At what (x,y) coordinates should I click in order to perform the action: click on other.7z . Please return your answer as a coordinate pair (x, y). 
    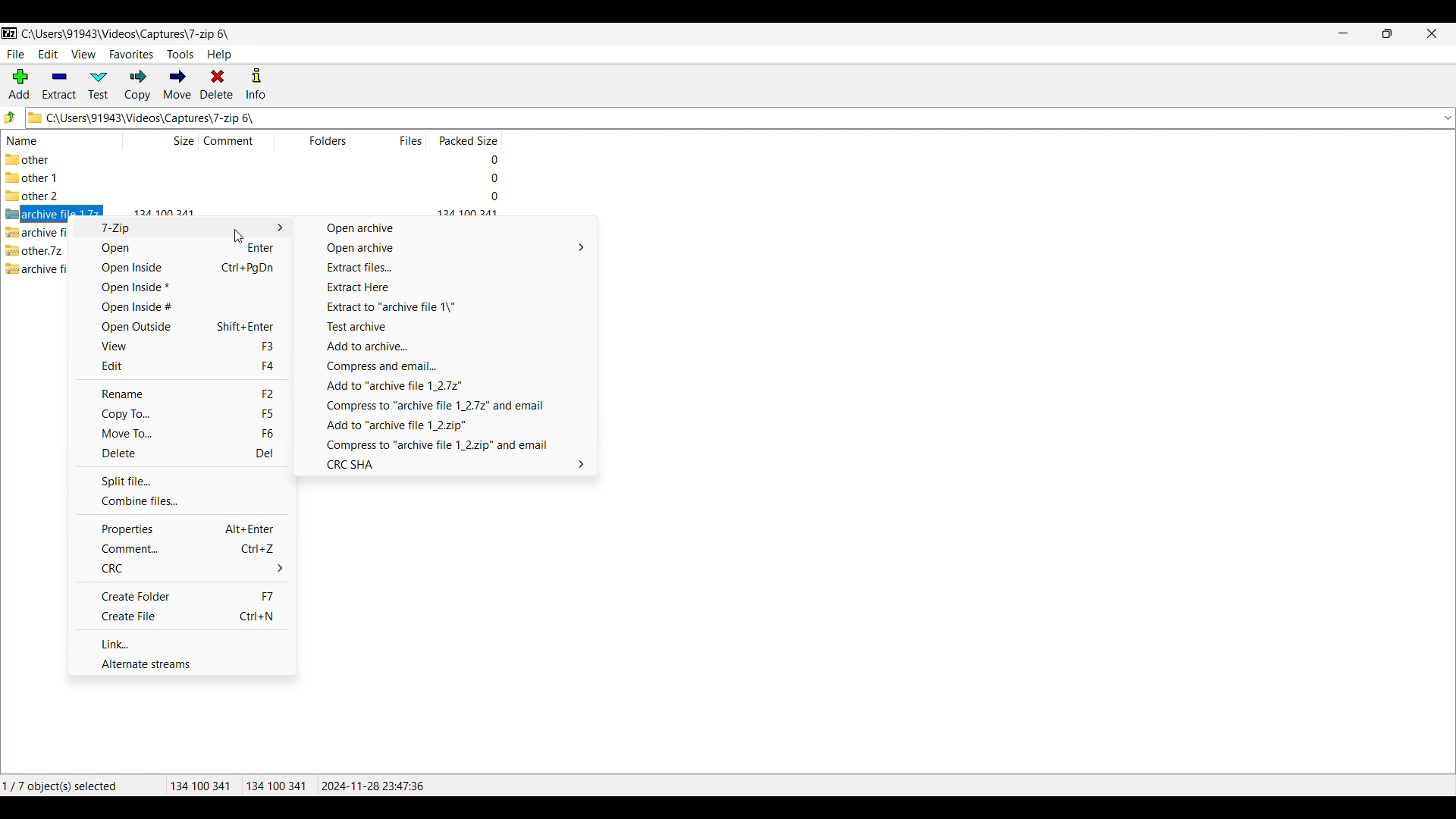
    Looking at the image, I should click on (35, 250).